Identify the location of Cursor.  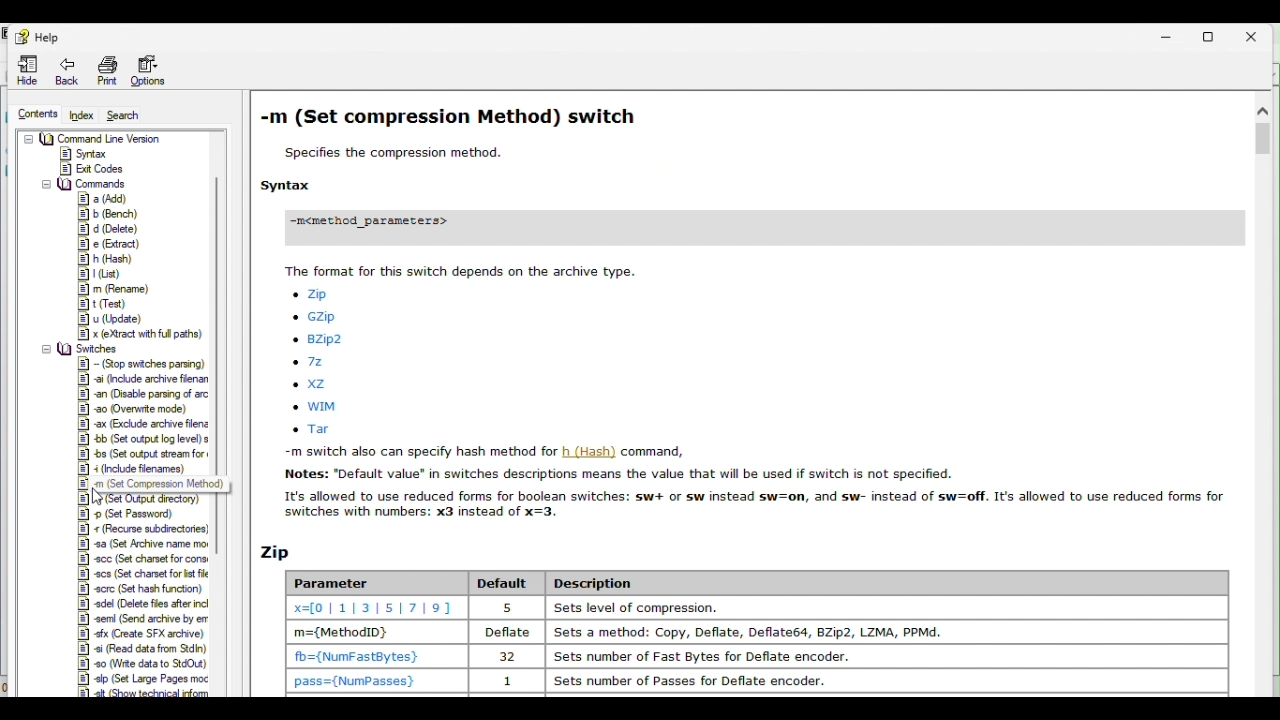
(101, 495).